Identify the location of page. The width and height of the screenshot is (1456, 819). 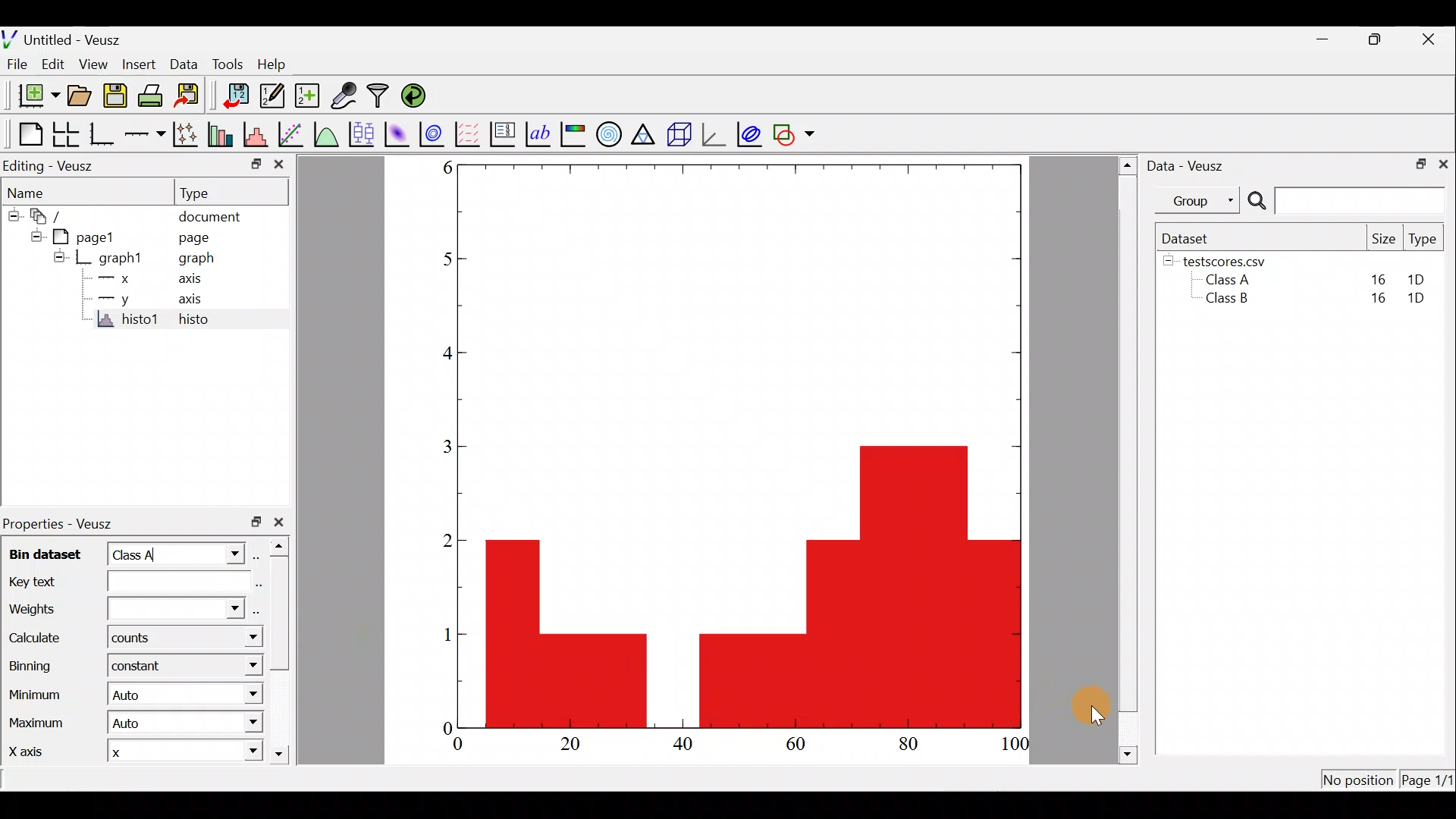
(203, 240).